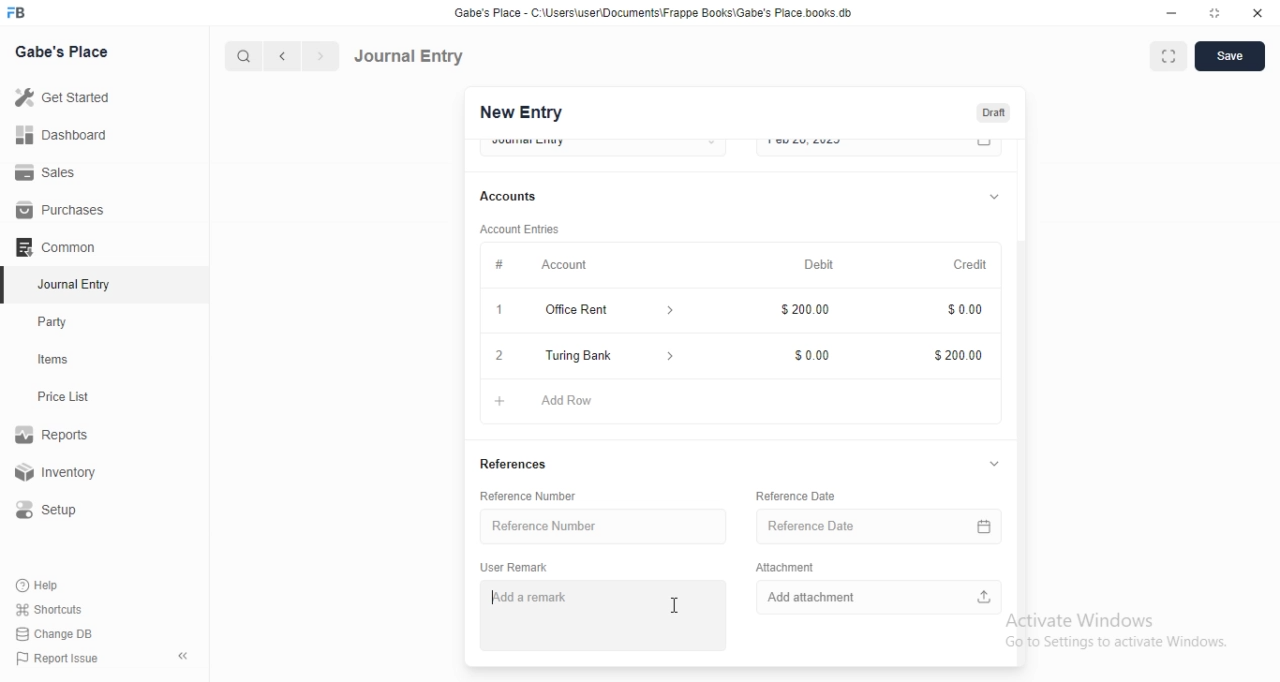 The height and width of the screenshot is (682, 1280). I want to click on Reference Number, so click(538, 525).